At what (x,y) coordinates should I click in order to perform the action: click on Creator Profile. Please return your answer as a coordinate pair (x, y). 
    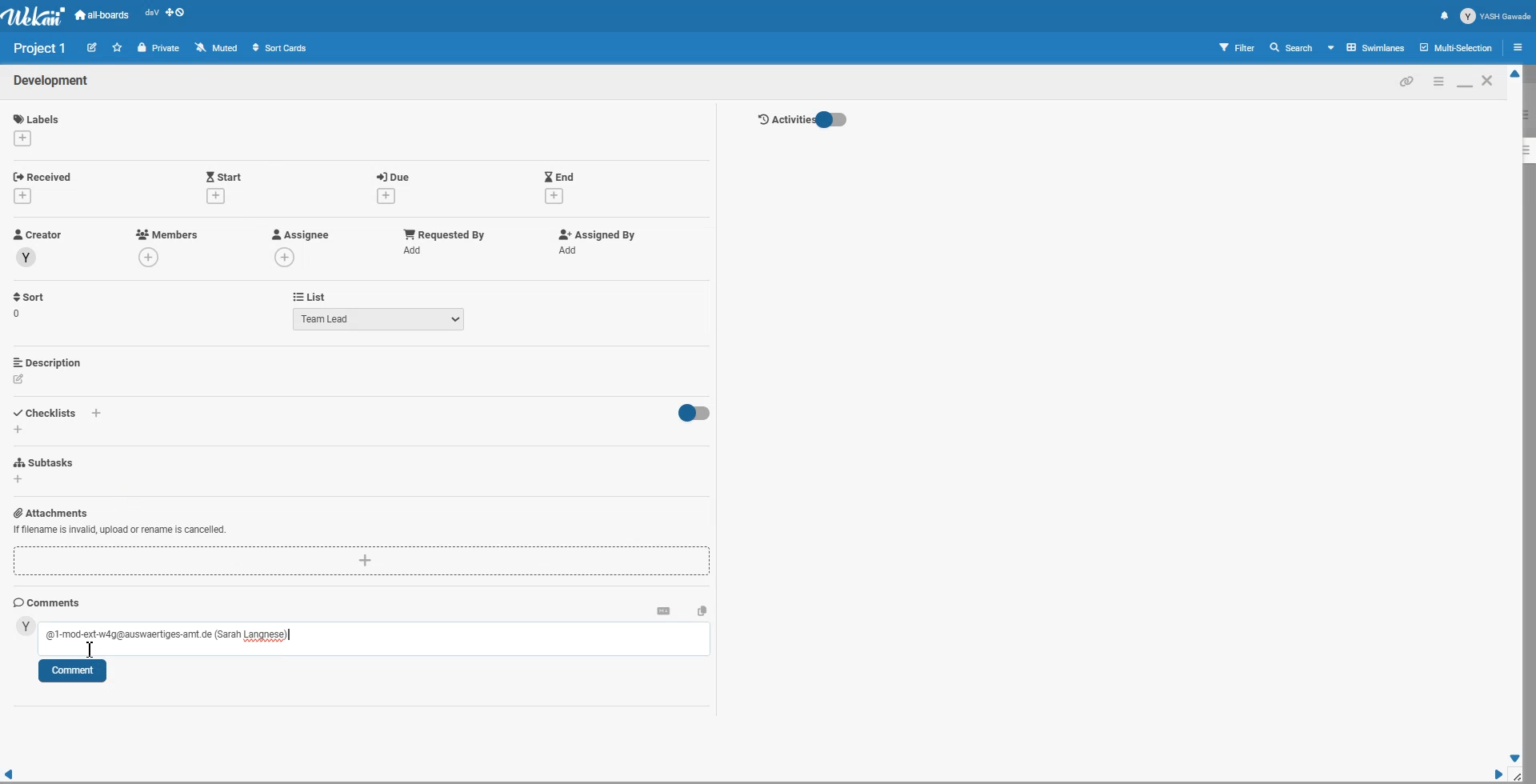
    Looking at the image, I should click on (38, 235).